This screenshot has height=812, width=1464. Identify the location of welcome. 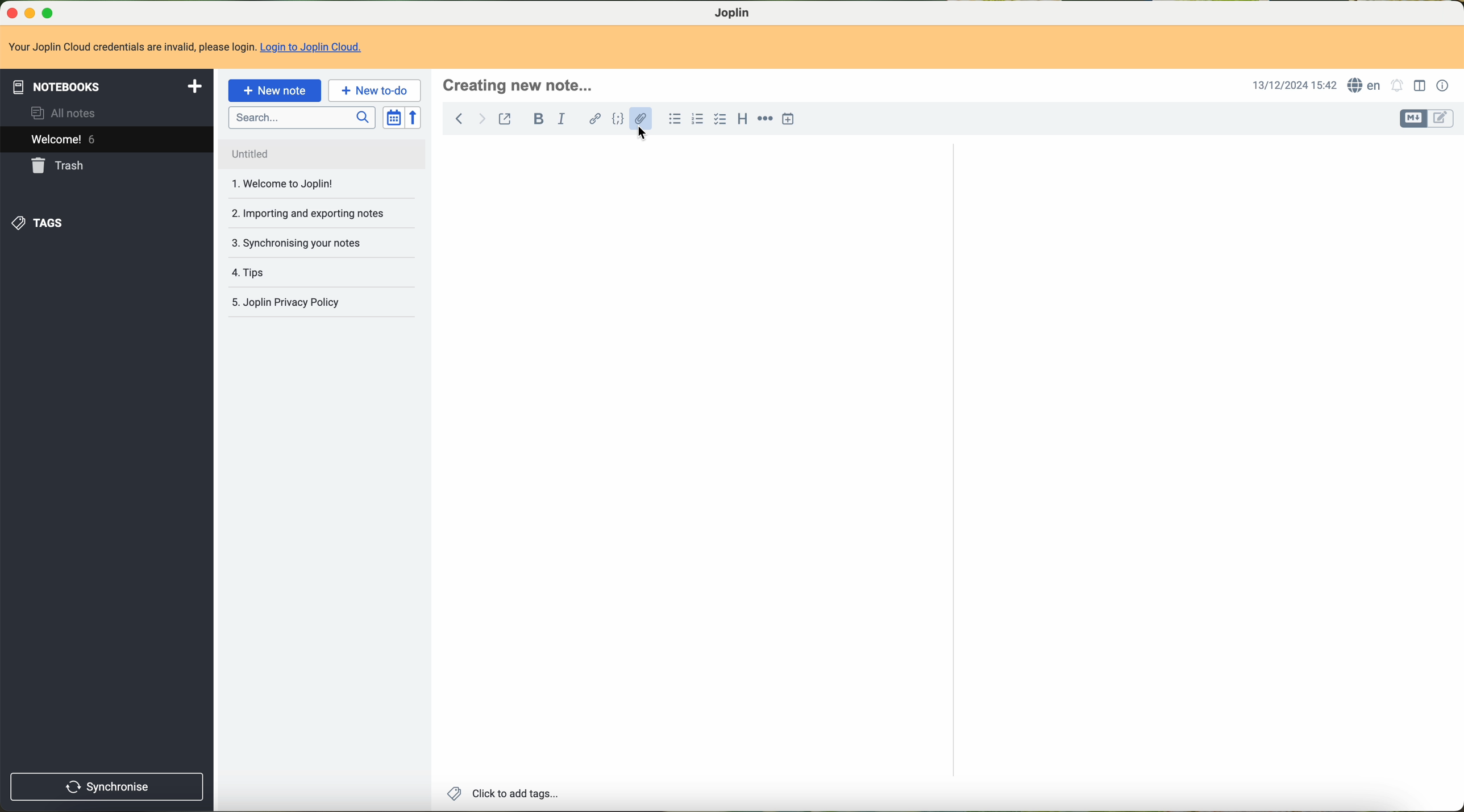
(107, 140).